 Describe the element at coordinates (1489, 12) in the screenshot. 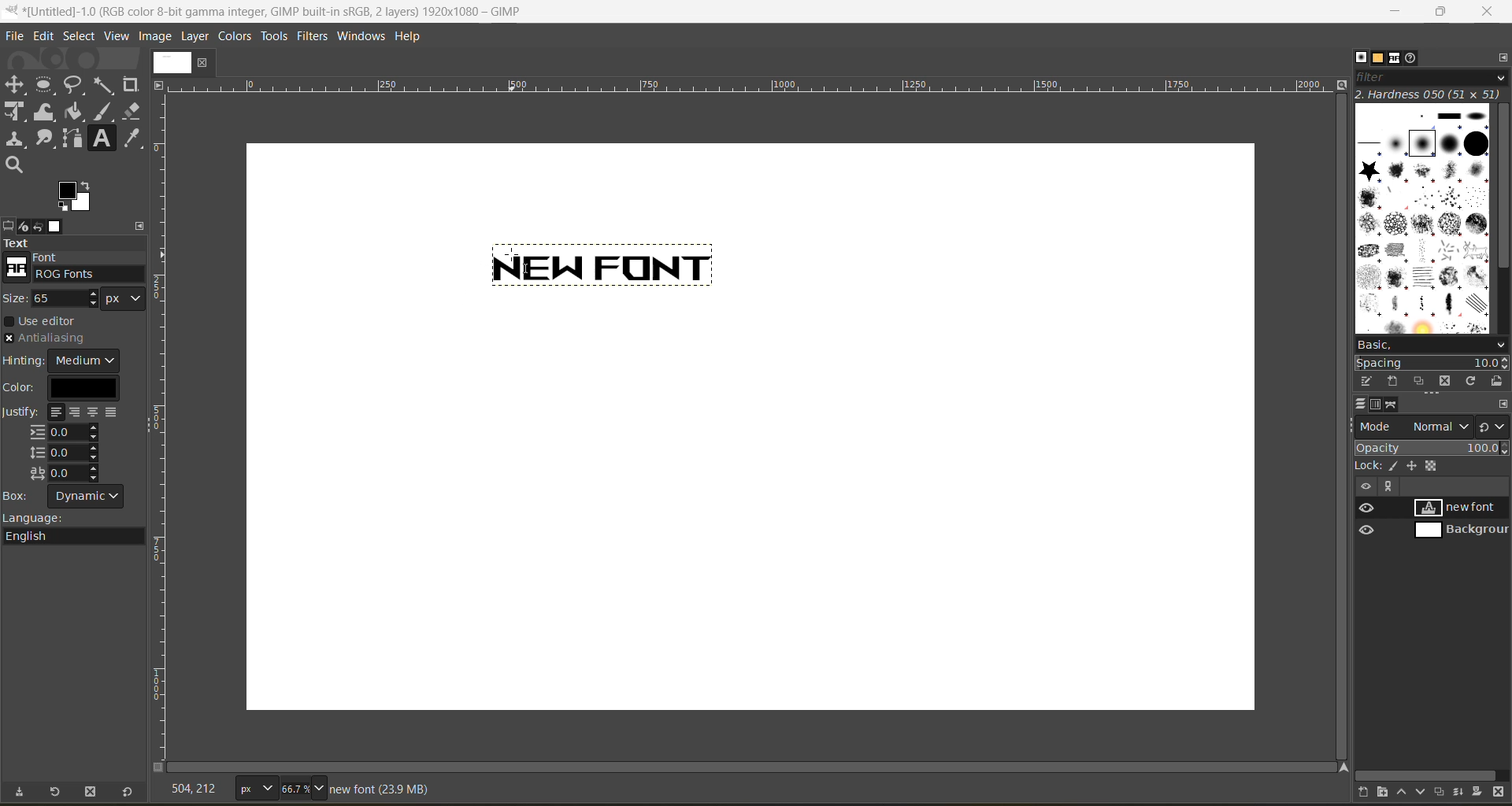

I see `close` at that location.